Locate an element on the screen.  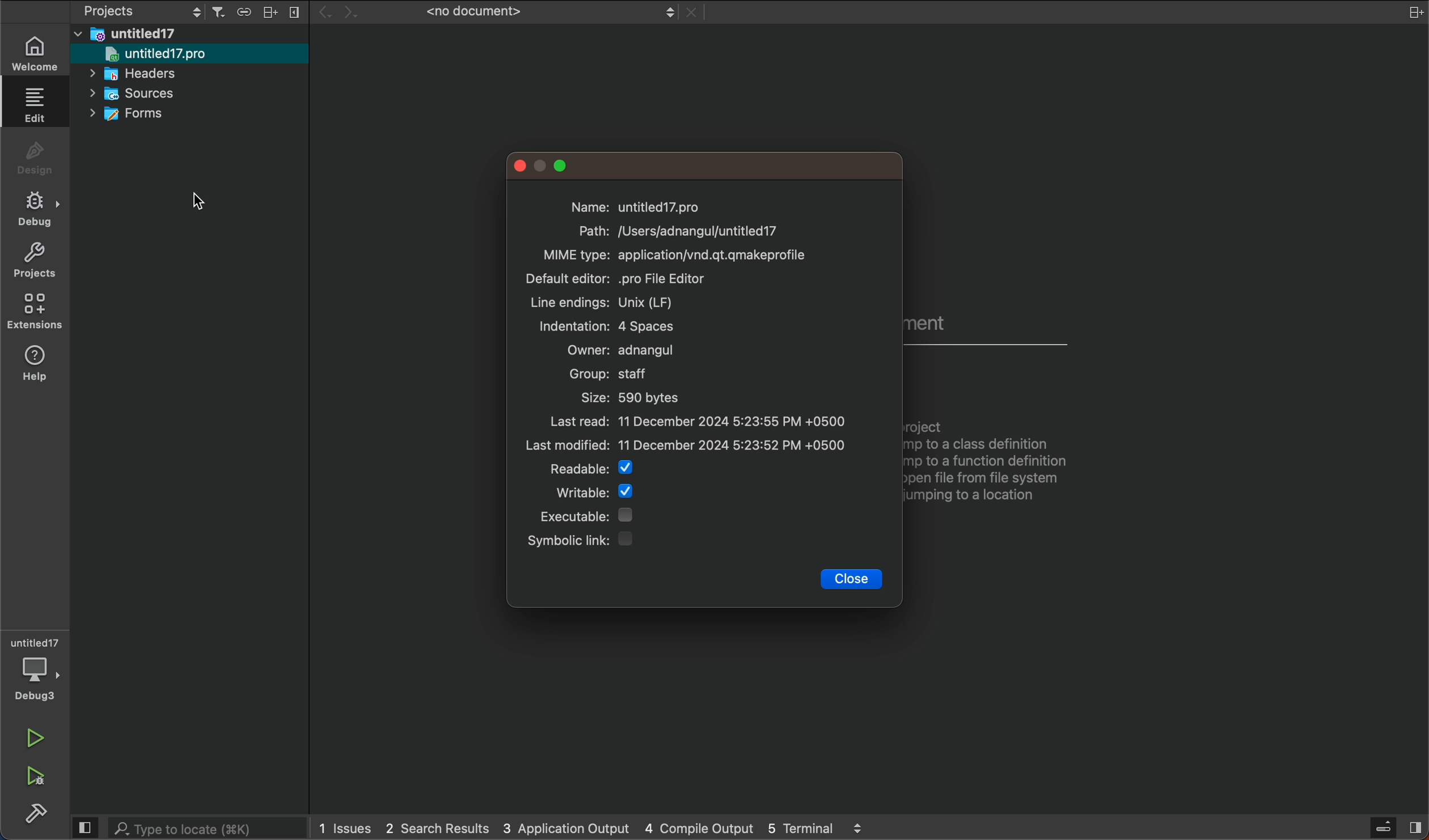
Cursor is located at coordinates (201, 203).